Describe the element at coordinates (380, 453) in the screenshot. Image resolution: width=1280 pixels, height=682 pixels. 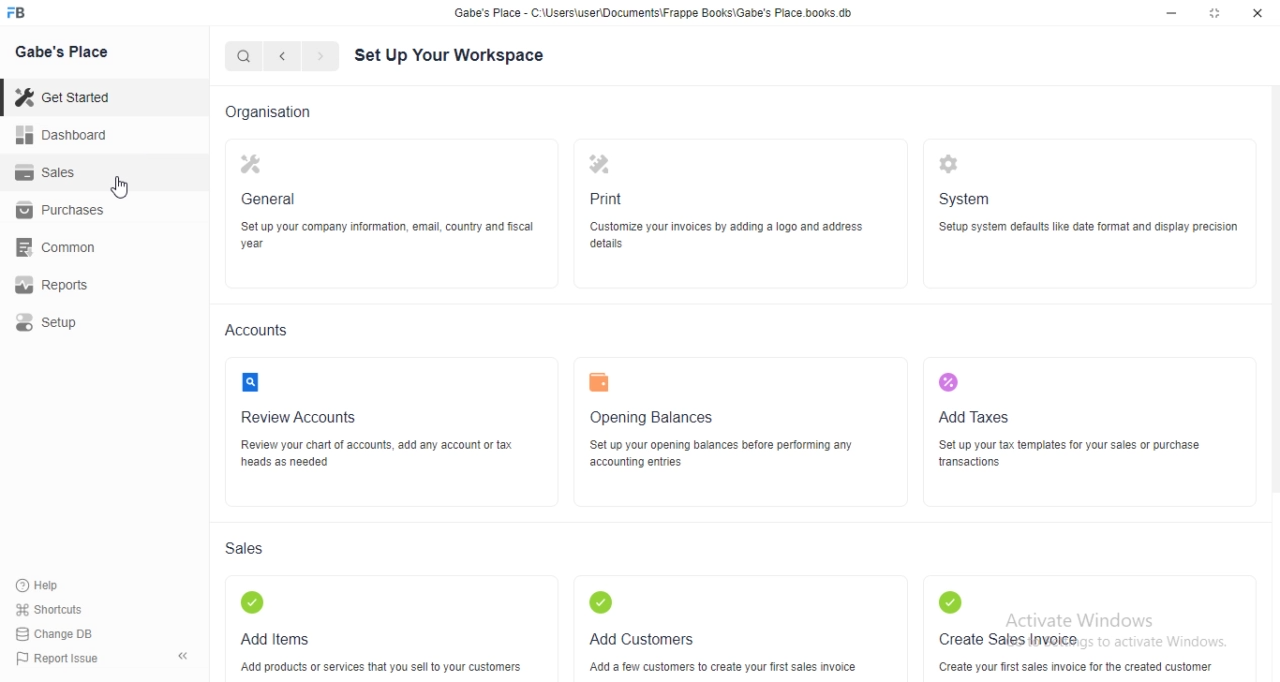
I see `FE YF NUR FUROR CUE OR PUP RT
heads as needed` at that location.